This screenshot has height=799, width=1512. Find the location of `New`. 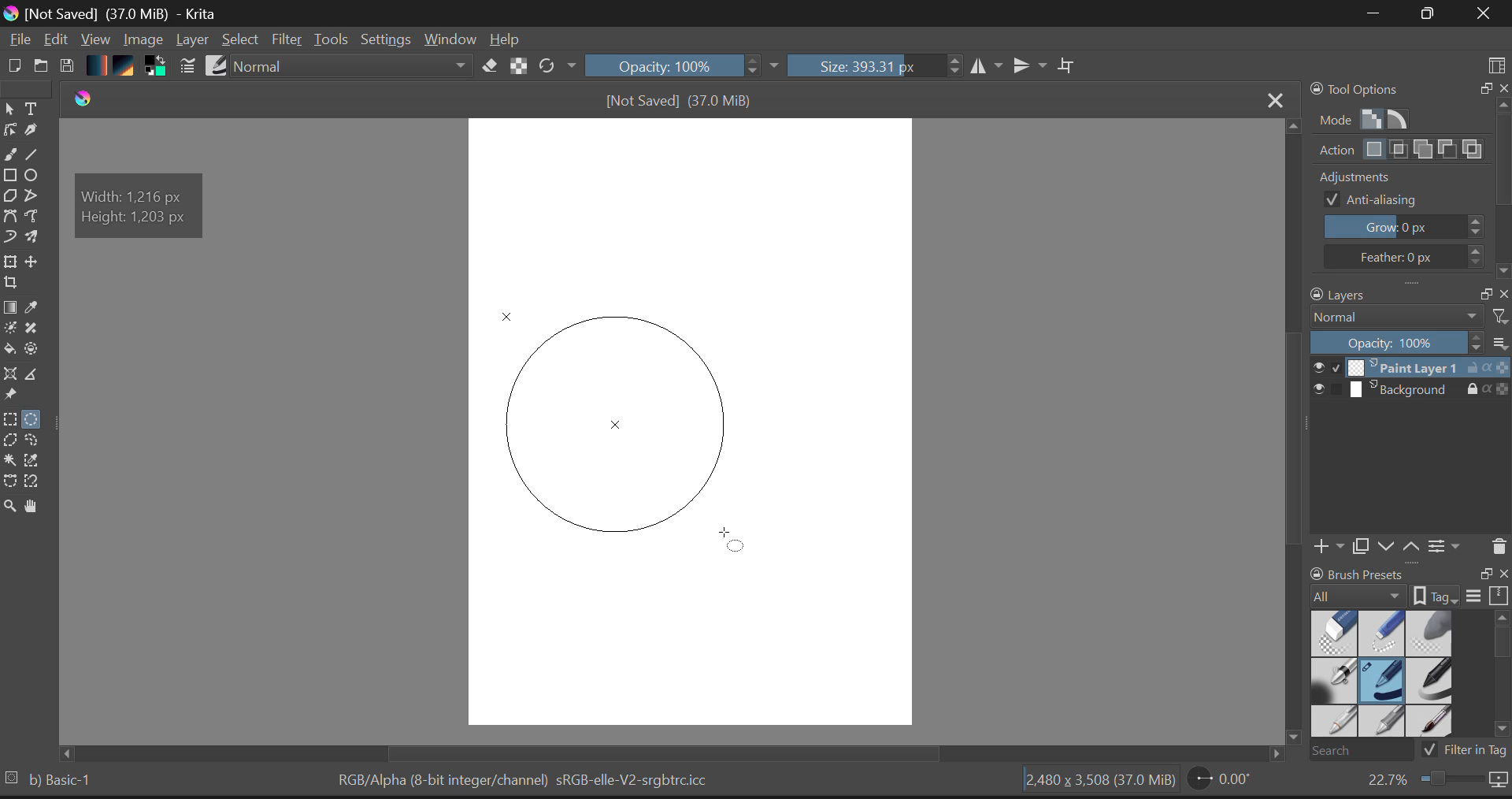

New is located at coordinates (15, 65).